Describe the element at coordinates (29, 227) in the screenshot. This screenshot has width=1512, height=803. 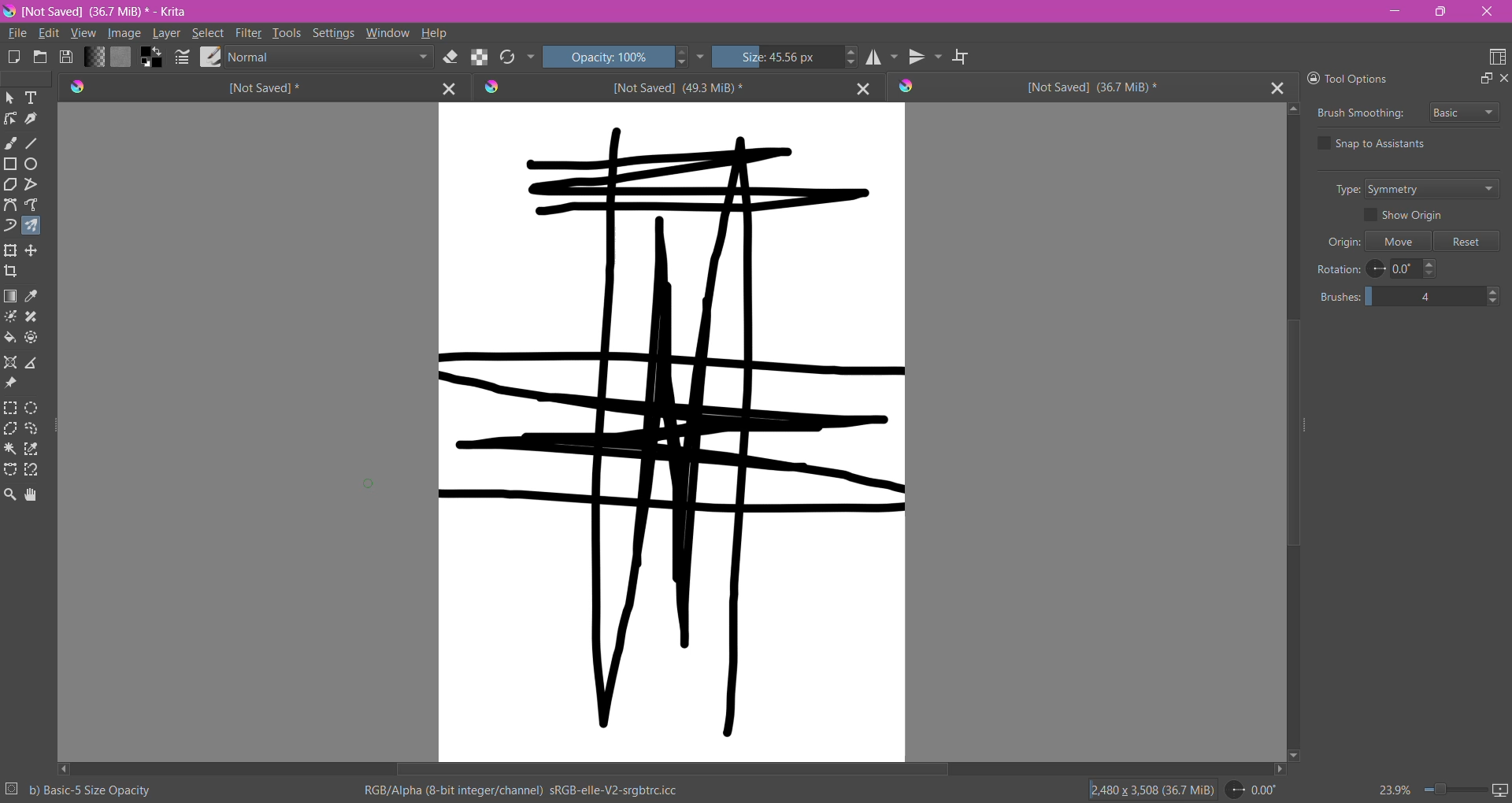
I see `Multi-brush Tool selected` at that location.